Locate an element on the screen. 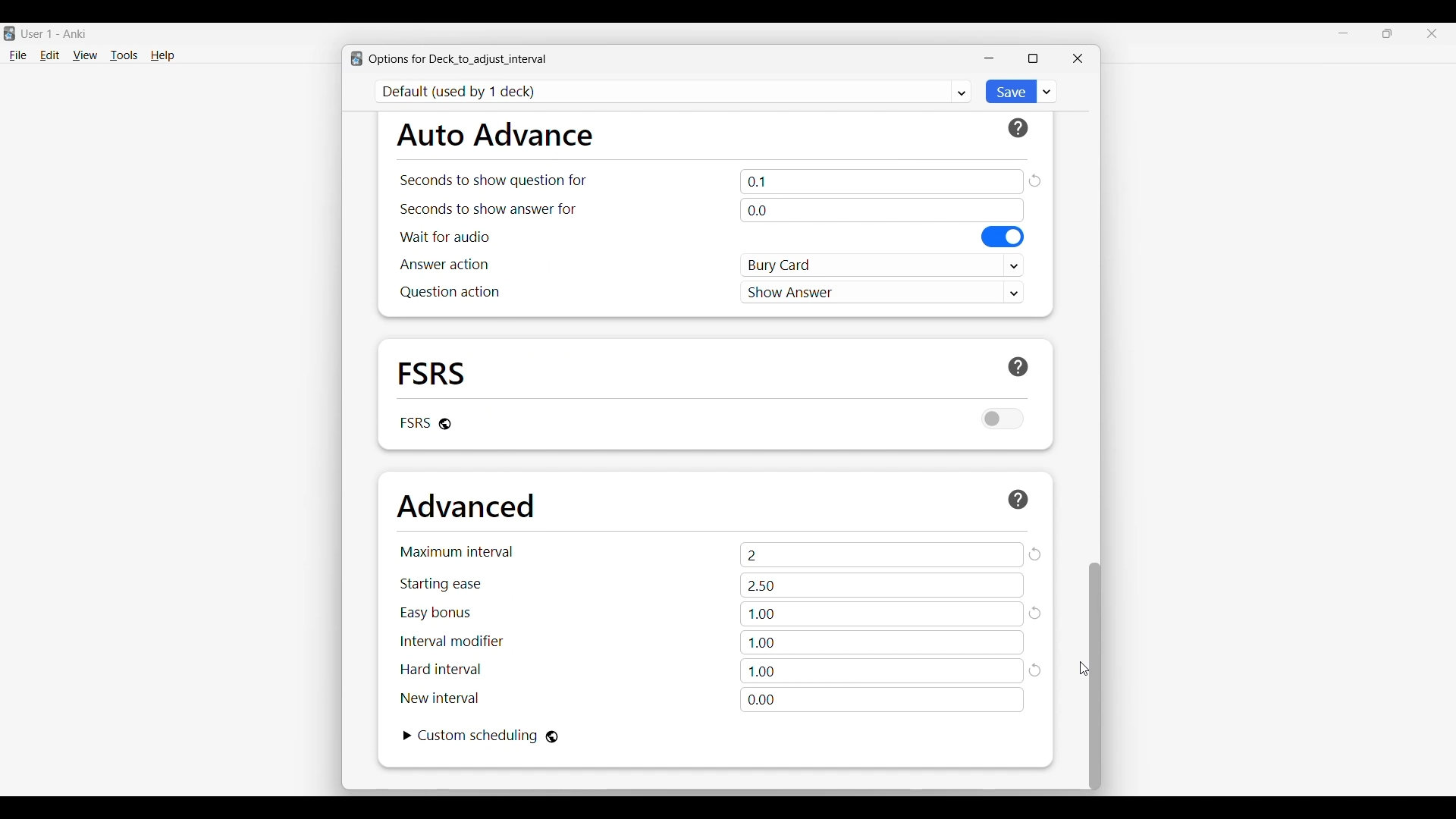 The image size is (1456, 819). Bury card selected is located at coordinates (883, 265).